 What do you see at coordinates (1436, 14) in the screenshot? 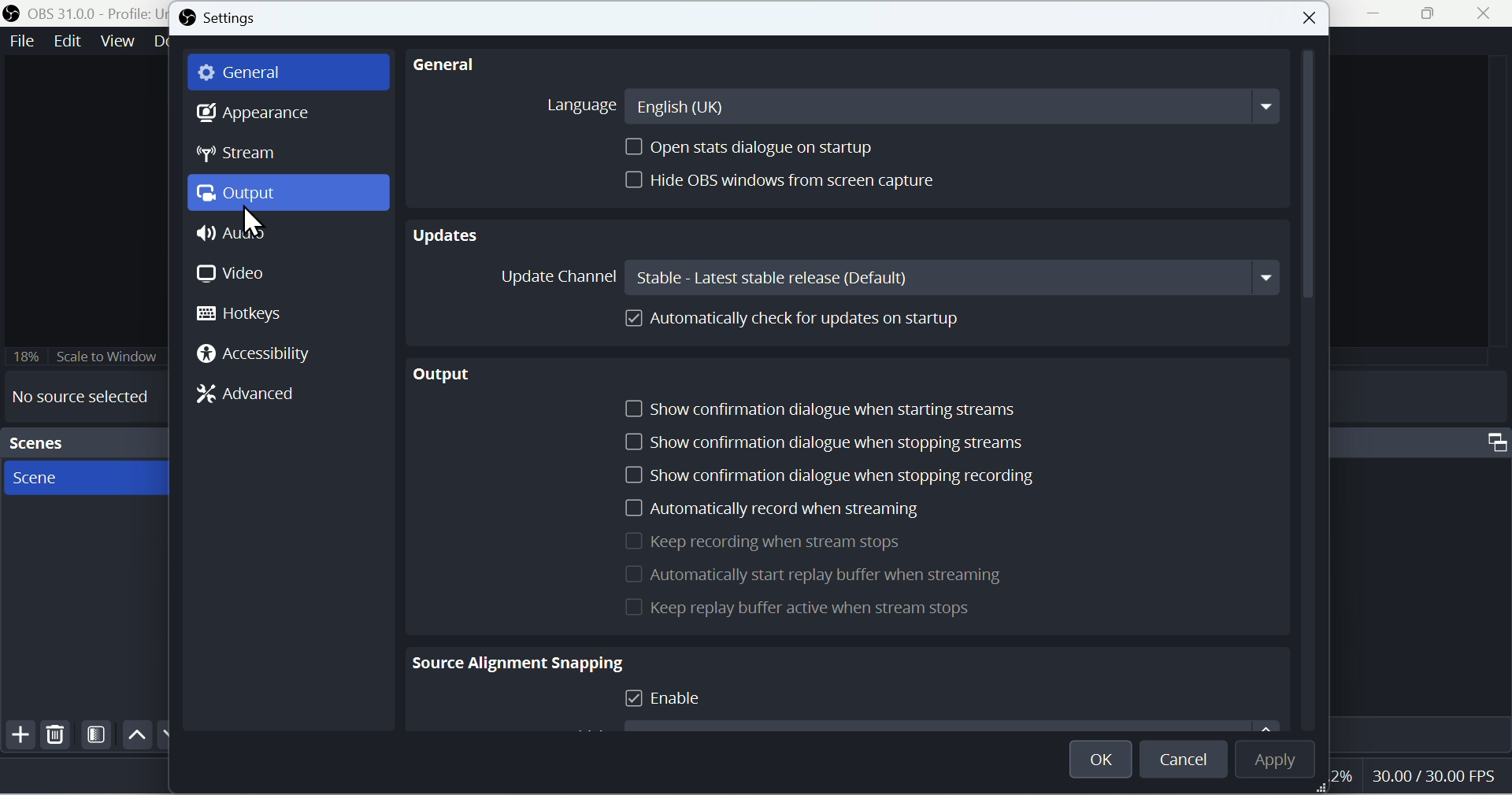
I see `Maximise` at bounding box center [1436, 14].